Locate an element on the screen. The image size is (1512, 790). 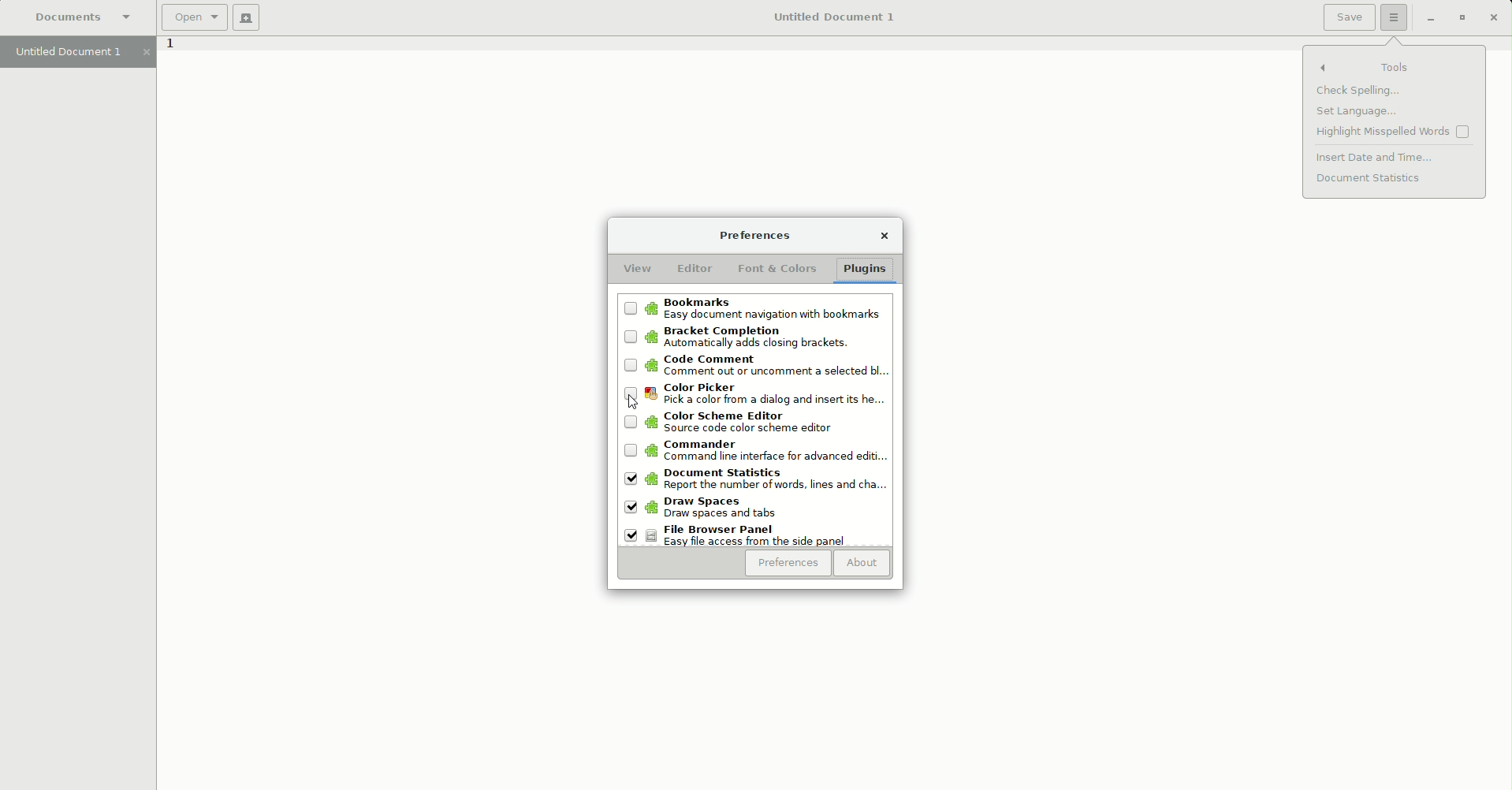
Options is located at coordinates (1395, 18).